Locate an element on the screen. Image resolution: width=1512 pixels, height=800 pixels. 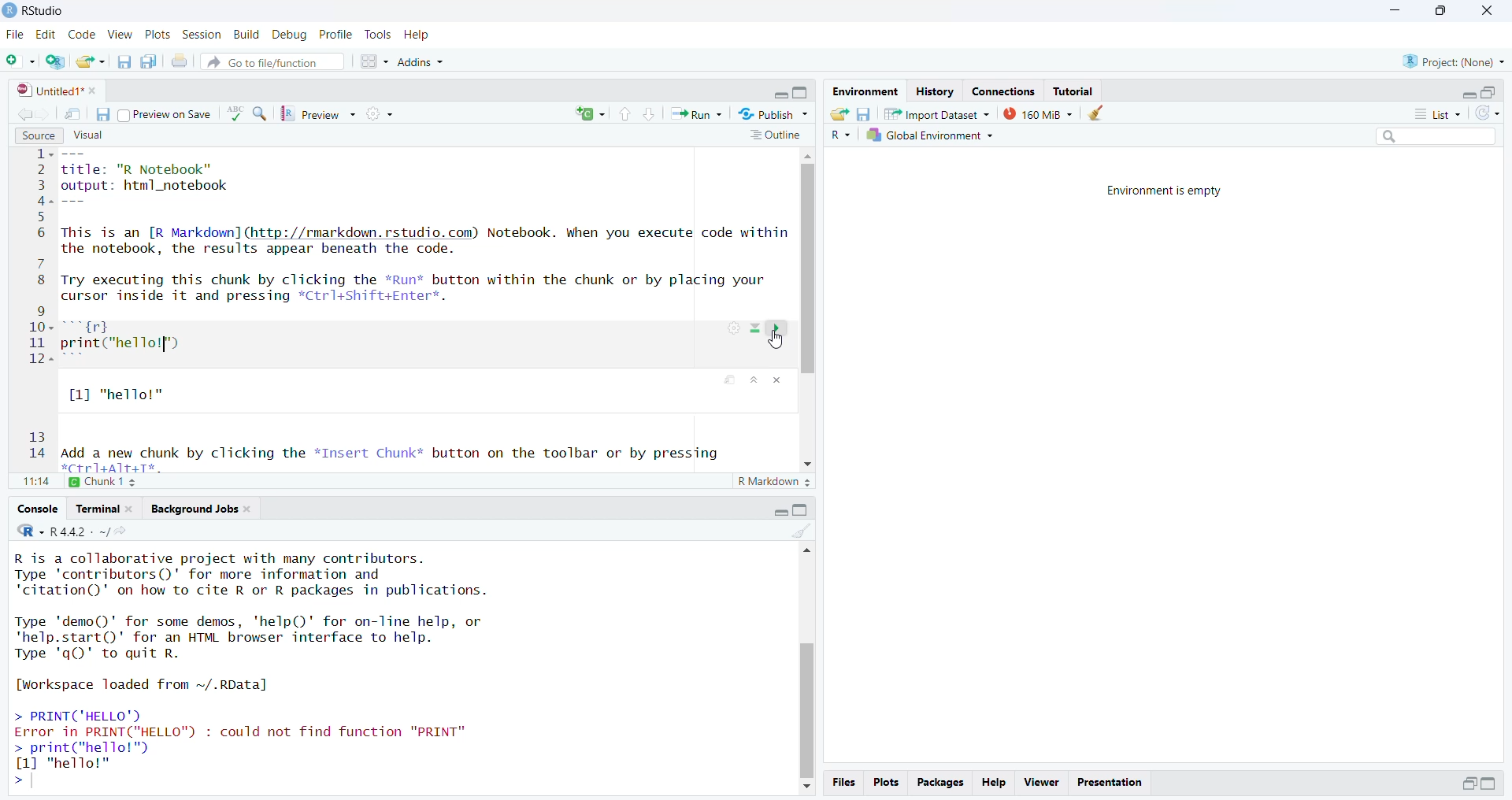
R markdown is located at coordinates (776, 483).